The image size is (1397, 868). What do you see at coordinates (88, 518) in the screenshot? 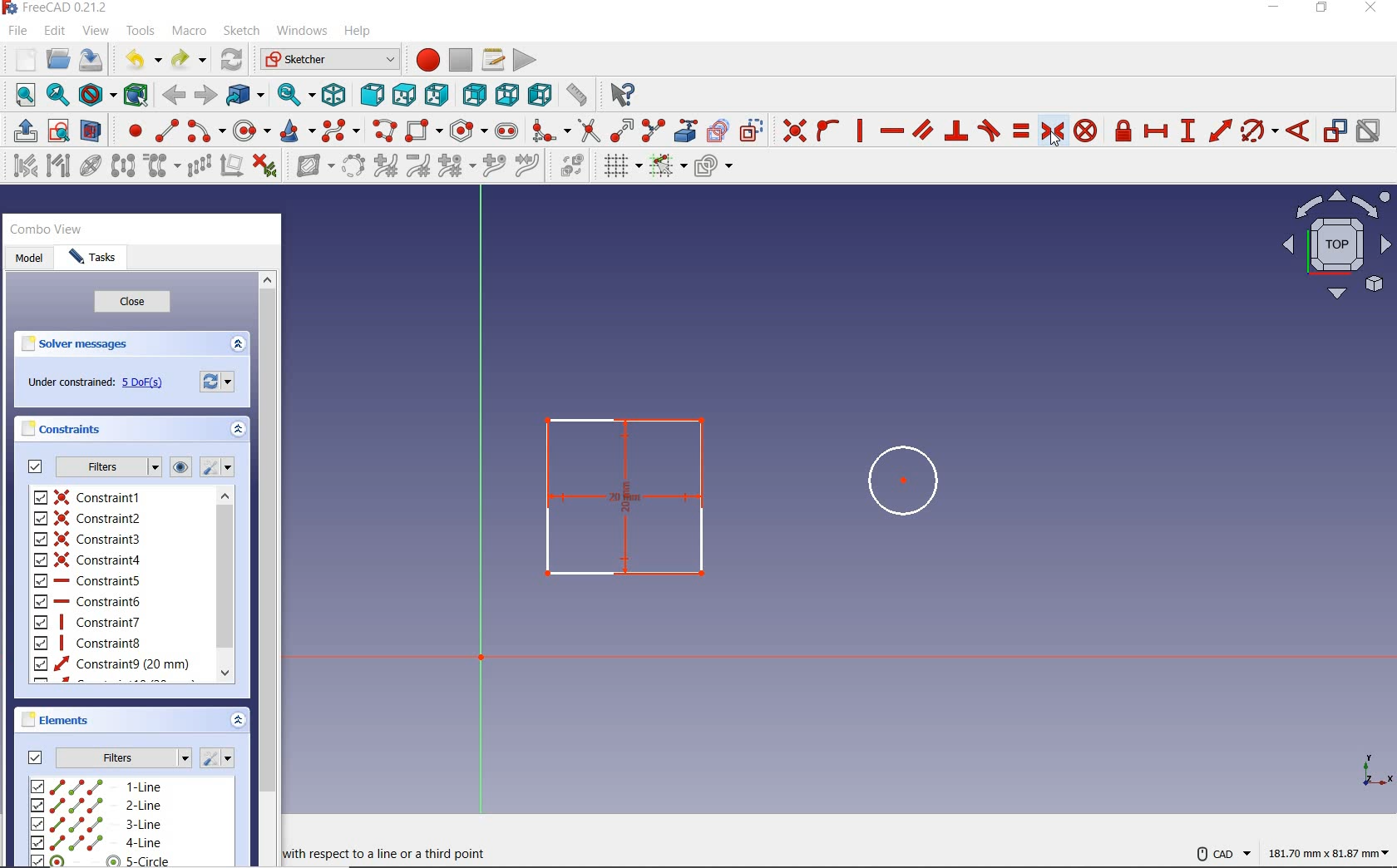
I see `constraint2` at bounding box center [88, 518].